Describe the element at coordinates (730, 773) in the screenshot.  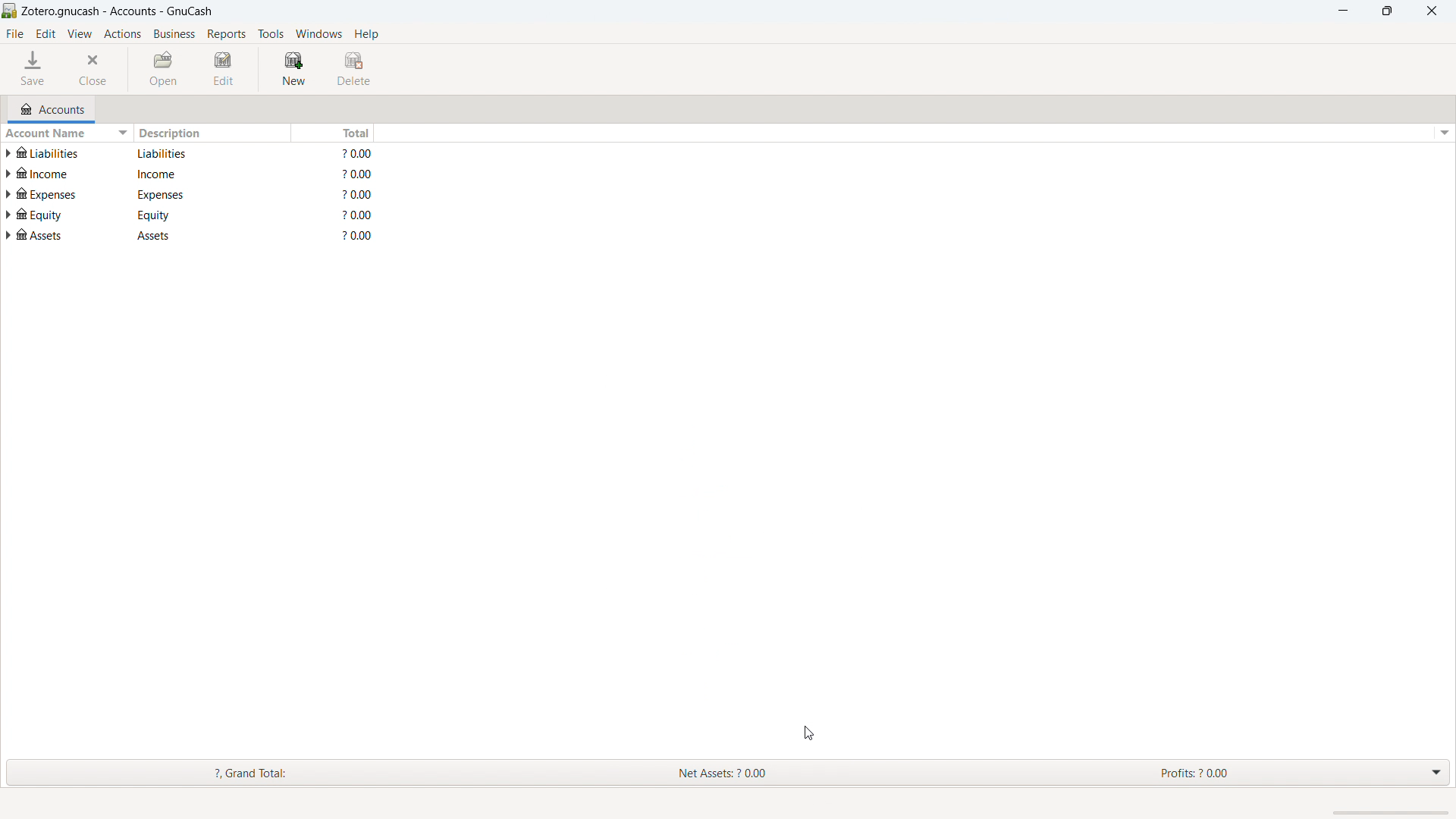
I see `Net Assets: ? 0.00` at that location.